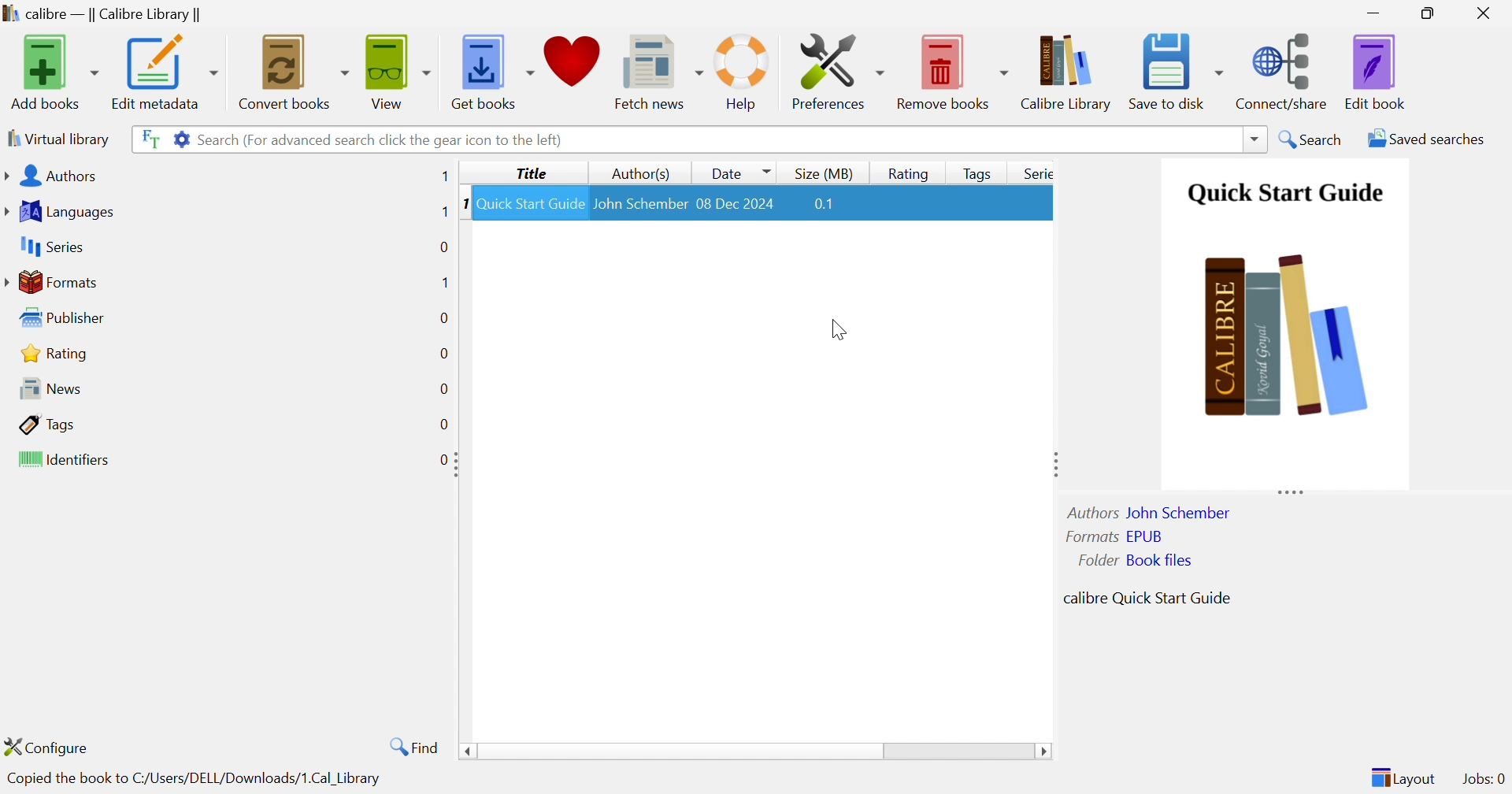  What do you see at coordinates (910, 172) in the screenshot?
I see `` at bounding box center [910, 172].